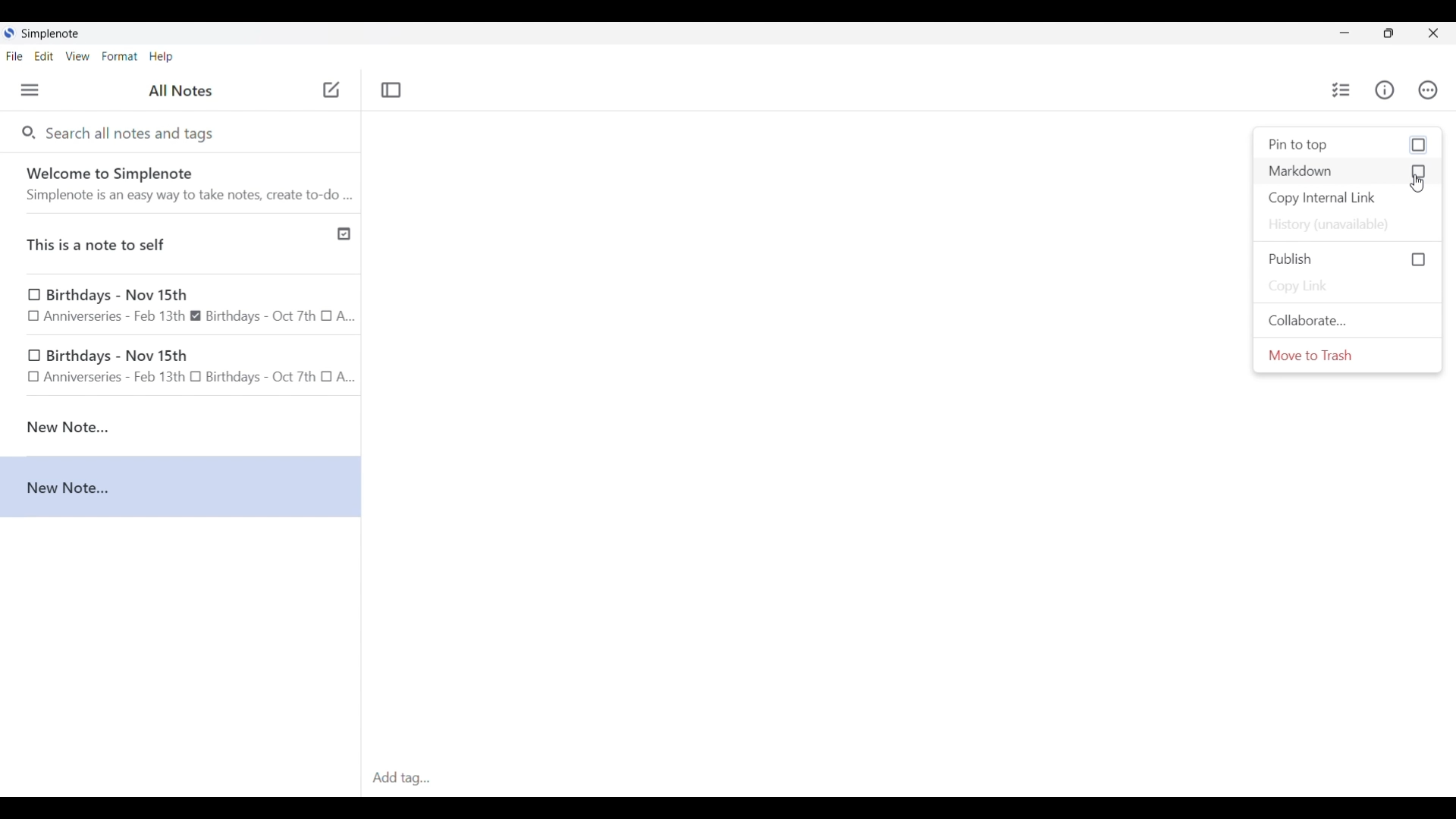 The image size is (1456, 819). What do you see at coordinates (161, 56) in the screenshot?
I see `Help menu` at bounding box center [161, 56].